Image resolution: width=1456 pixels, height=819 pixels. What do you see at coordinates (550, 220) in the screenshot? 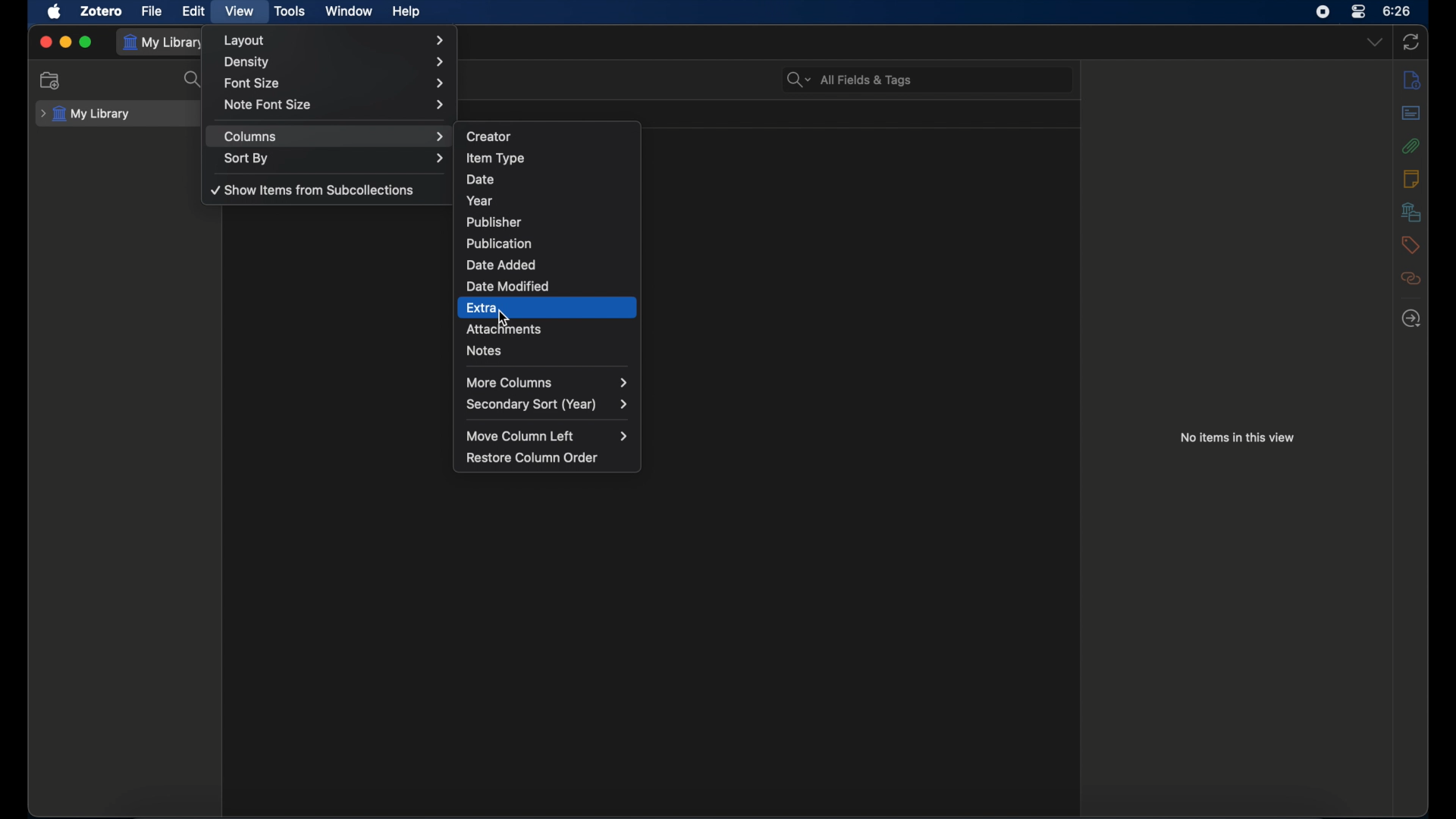
I see `publisher` at bounding box center [550, 220].